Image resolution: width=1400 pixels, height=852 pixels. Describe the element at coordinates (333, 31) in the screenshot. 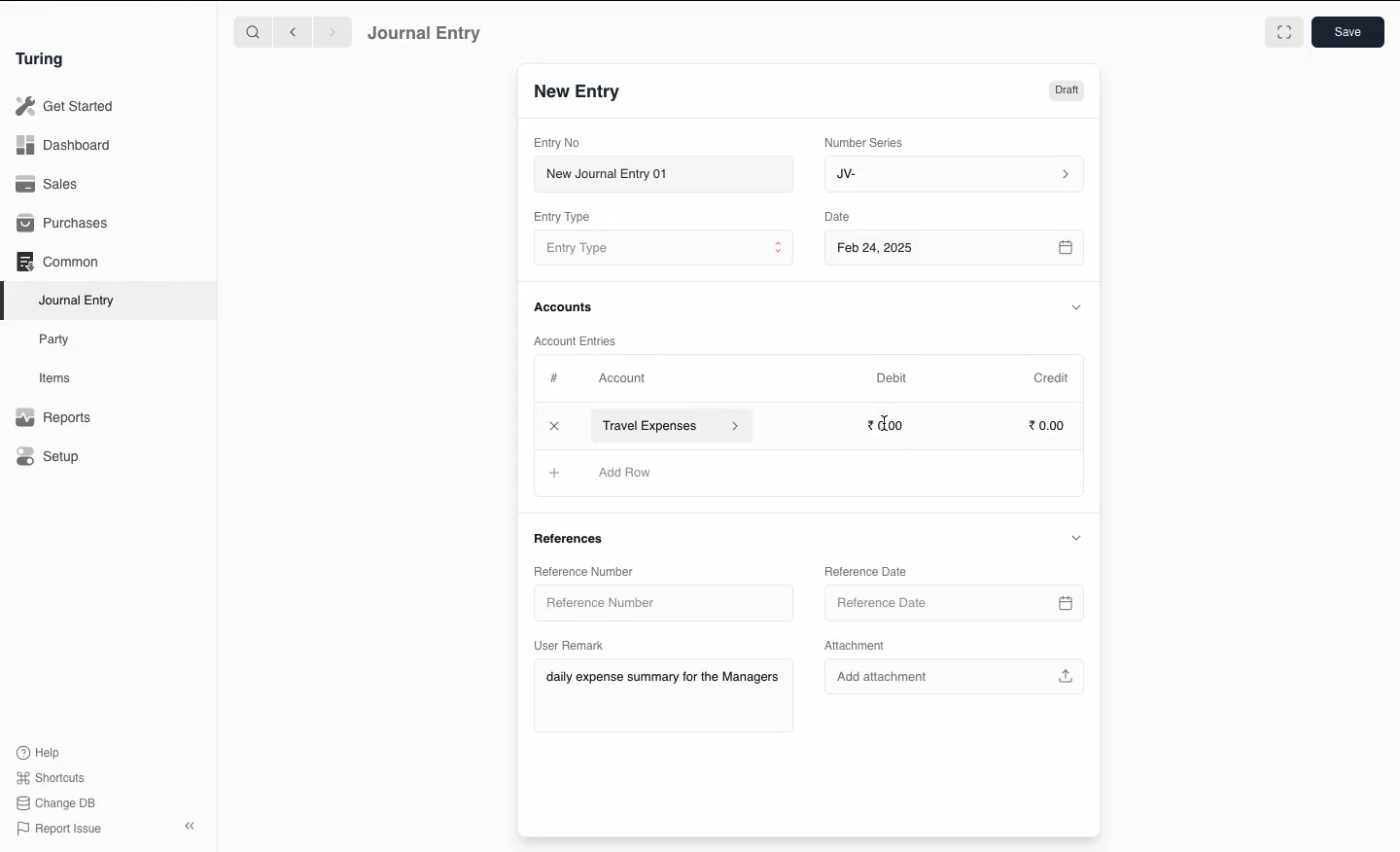

I see `Forward` at that location.